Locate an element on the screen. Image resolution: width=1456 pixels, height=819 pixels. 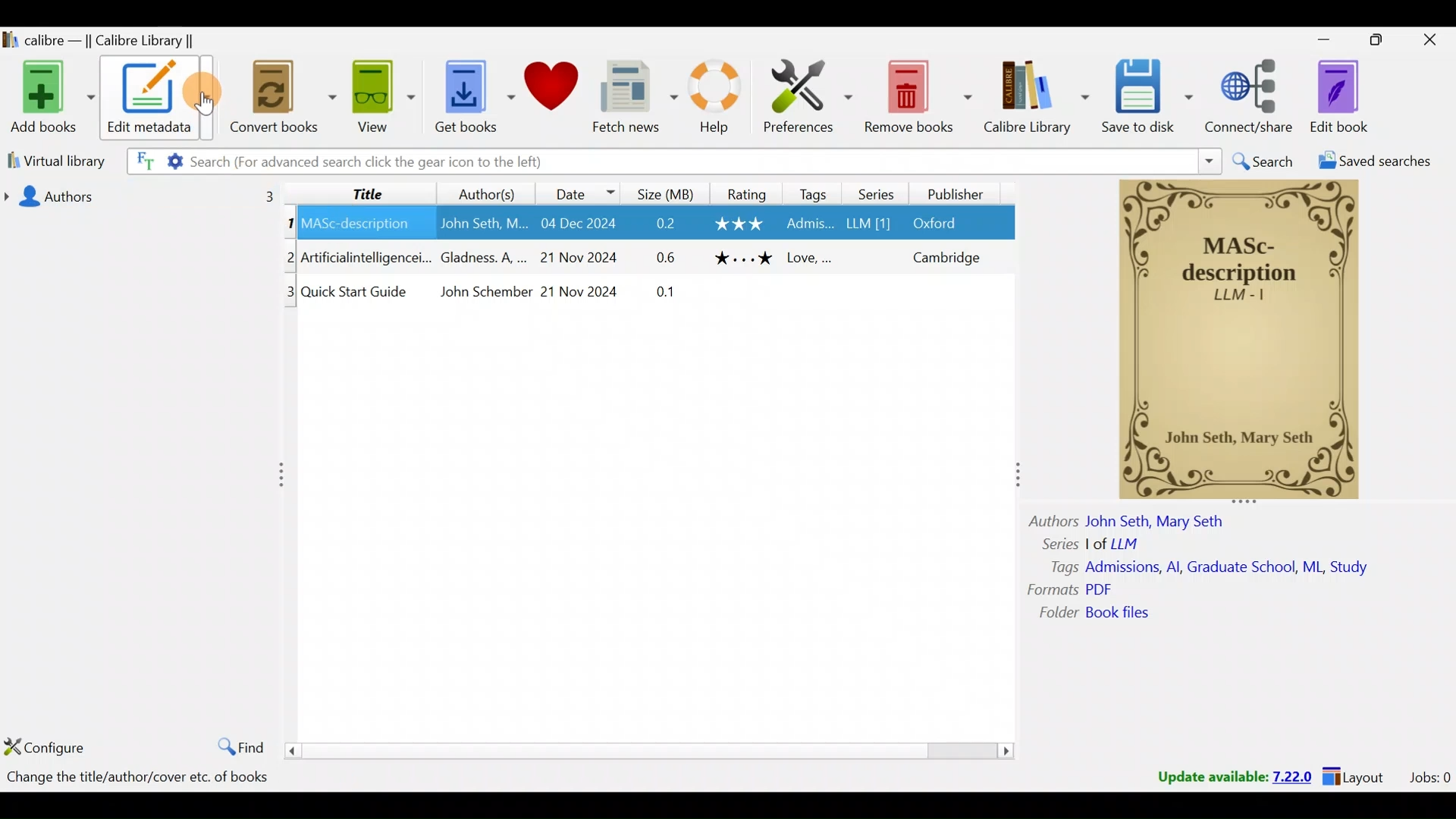
Save to disk is located at coordinates (1150, 96).